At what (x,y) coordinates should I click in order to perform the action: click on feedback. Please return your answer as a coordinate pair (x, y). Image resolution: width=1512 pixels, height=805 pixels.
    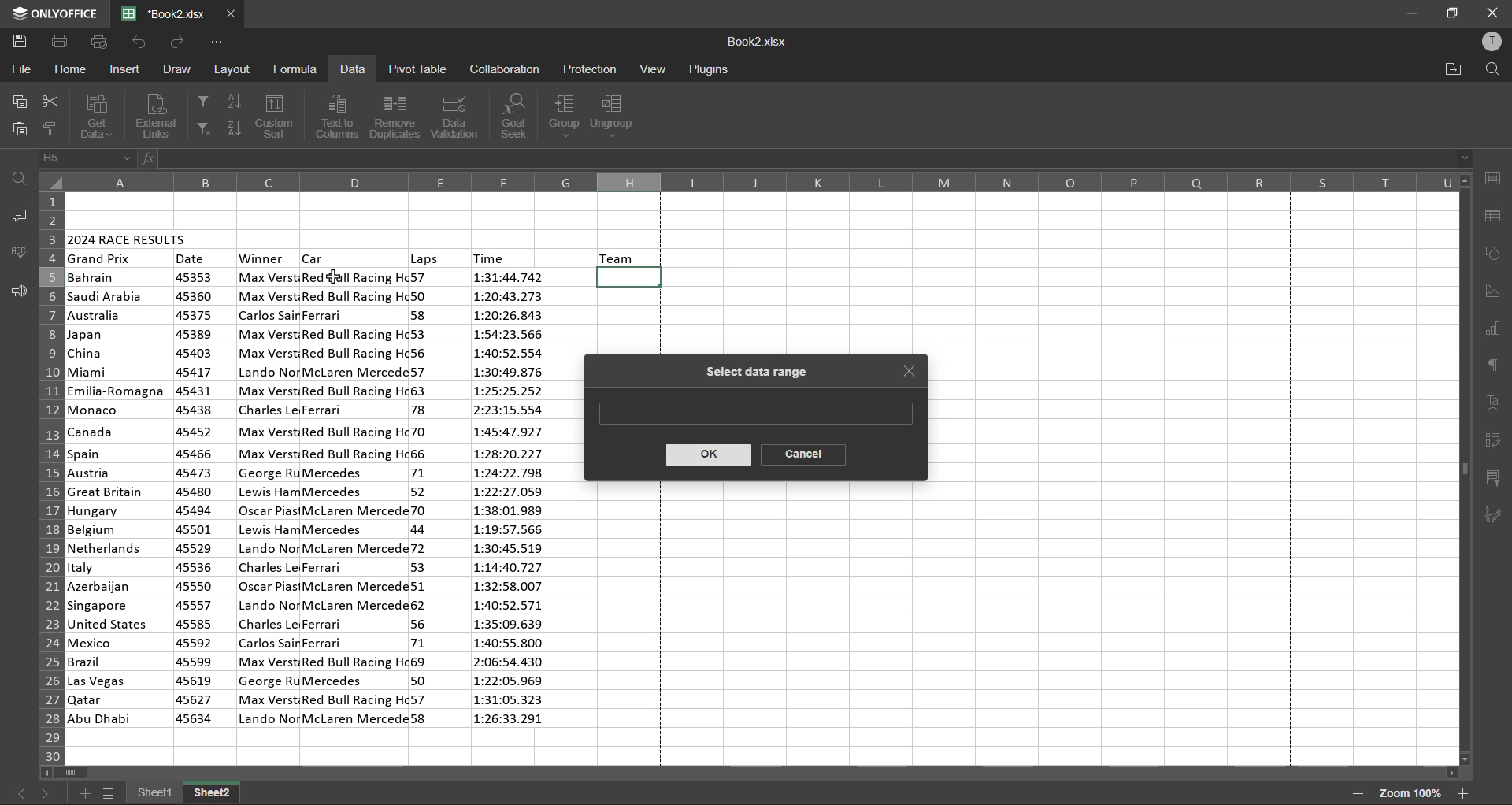
    Looking at the image, I should click on (17, 291).